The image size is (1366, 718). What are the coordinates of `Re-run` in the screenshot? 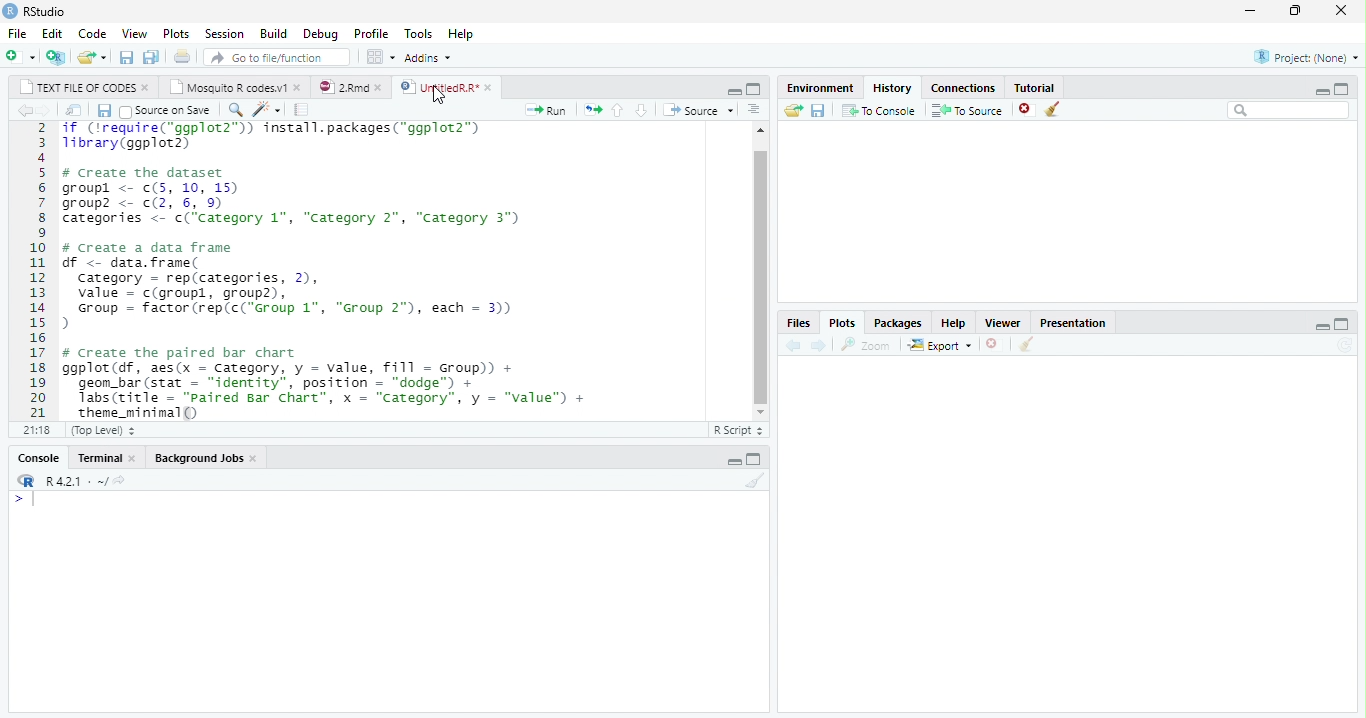 It's located at (592, 110).